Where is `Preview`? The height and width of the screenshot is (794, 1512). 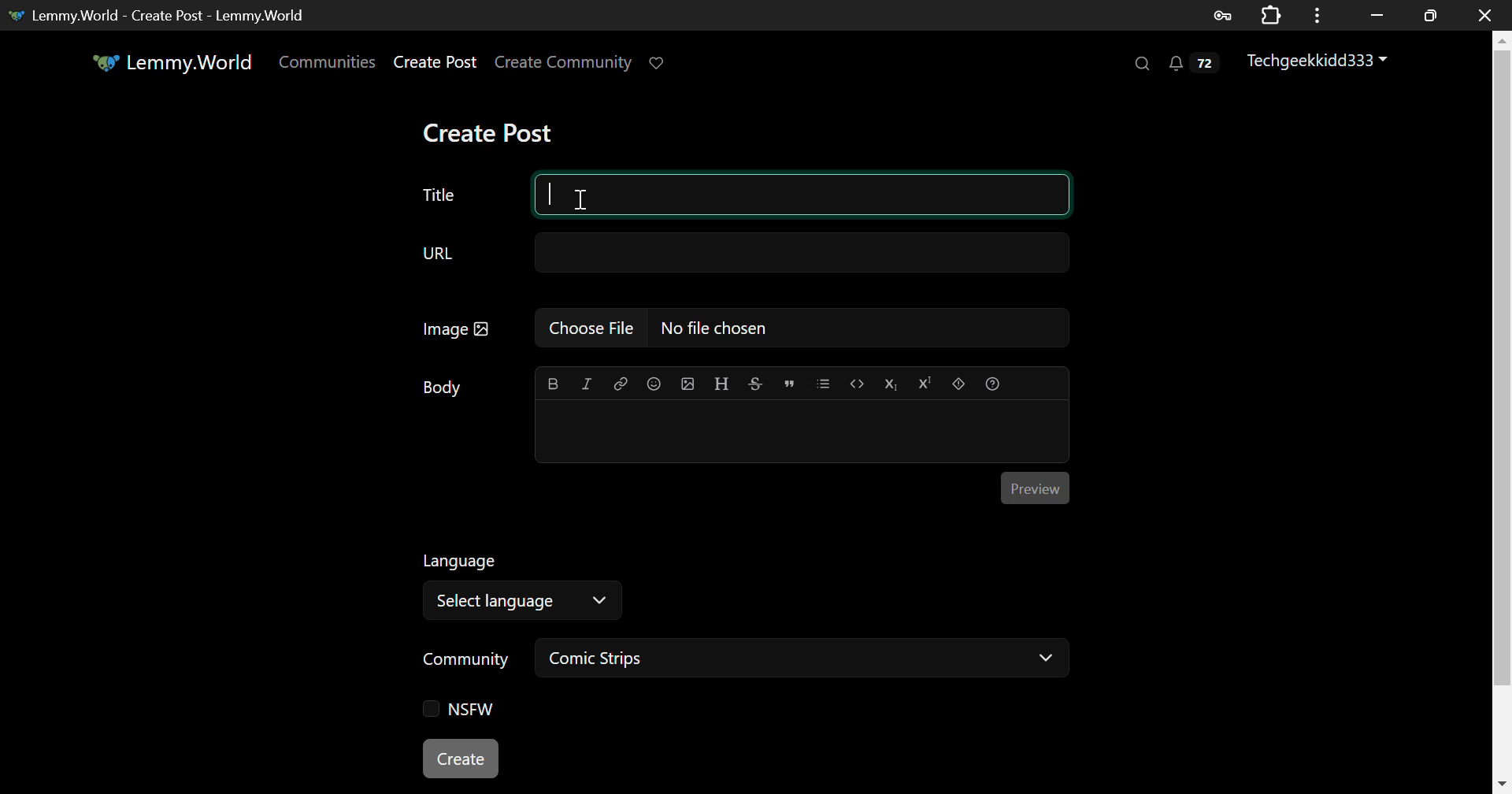
Preview is located at coordinates (1033, 485).